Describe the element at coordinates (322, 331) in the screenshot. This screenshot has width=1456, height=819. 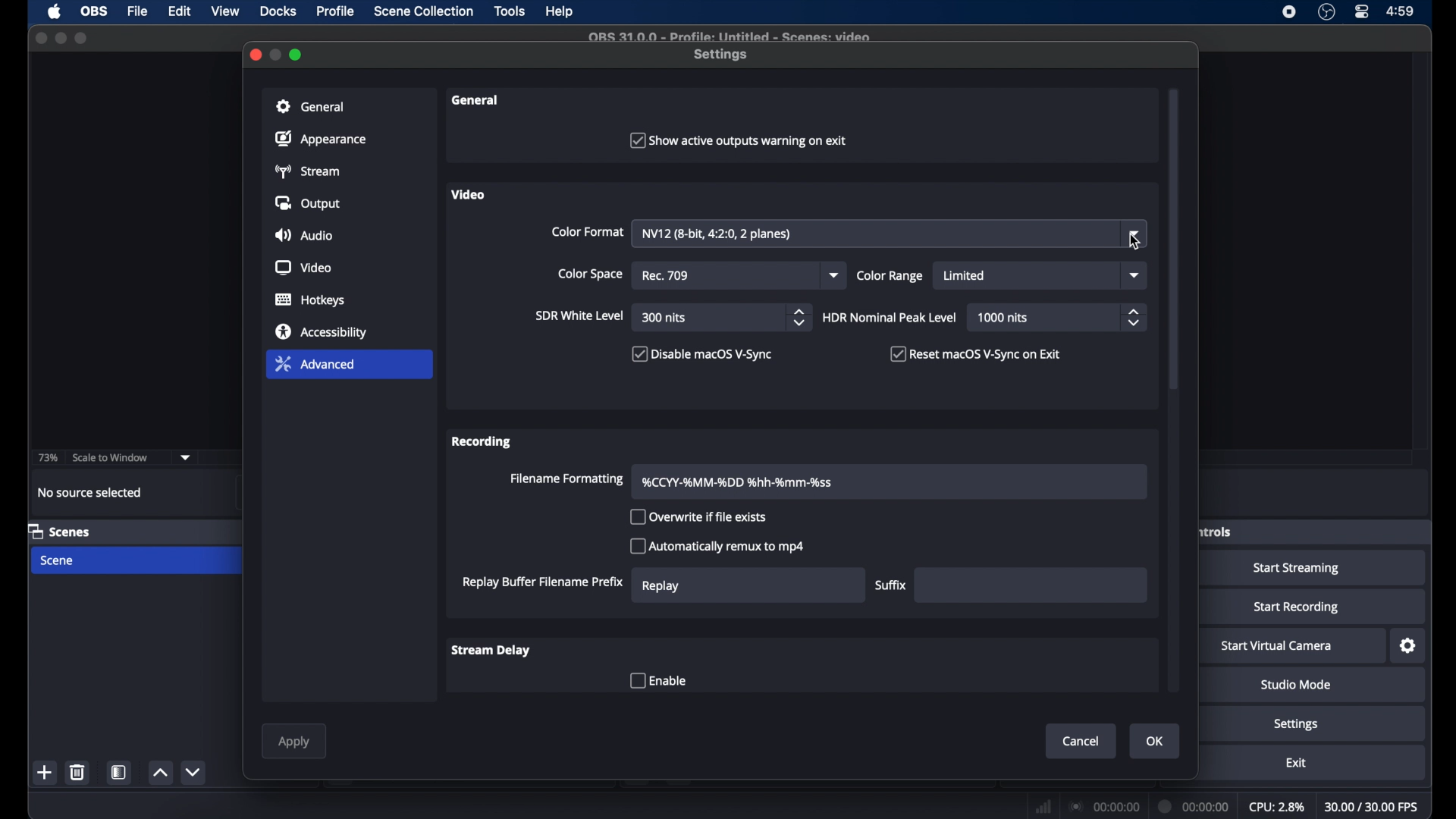
I see `accessibility` at that location.